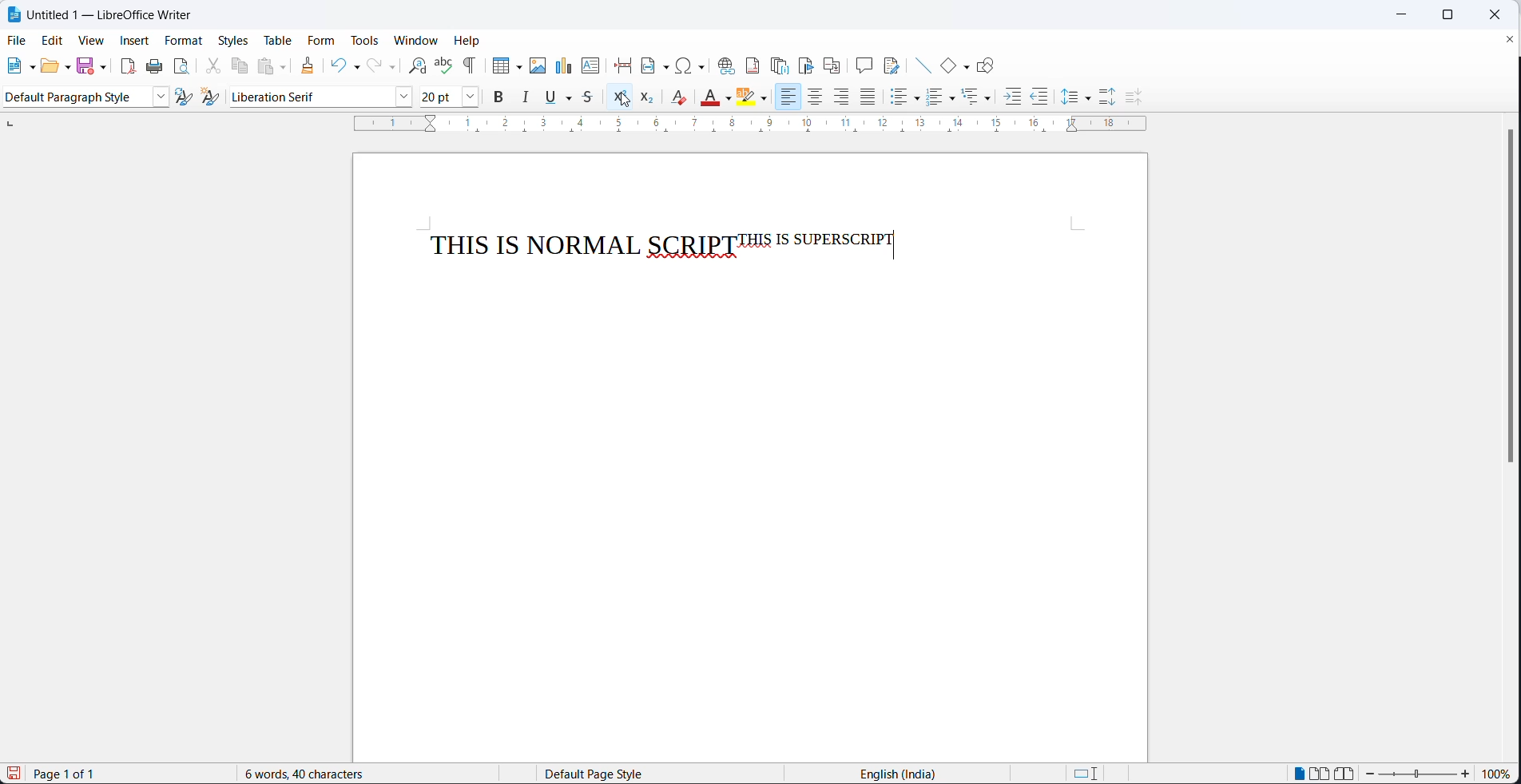 Image resolution: width=1521 pixels, height=784 pixels. What do you see at coordinates (1301, 773) in the screenshot?
I see `single page view` at bounding box center [1301, 773].